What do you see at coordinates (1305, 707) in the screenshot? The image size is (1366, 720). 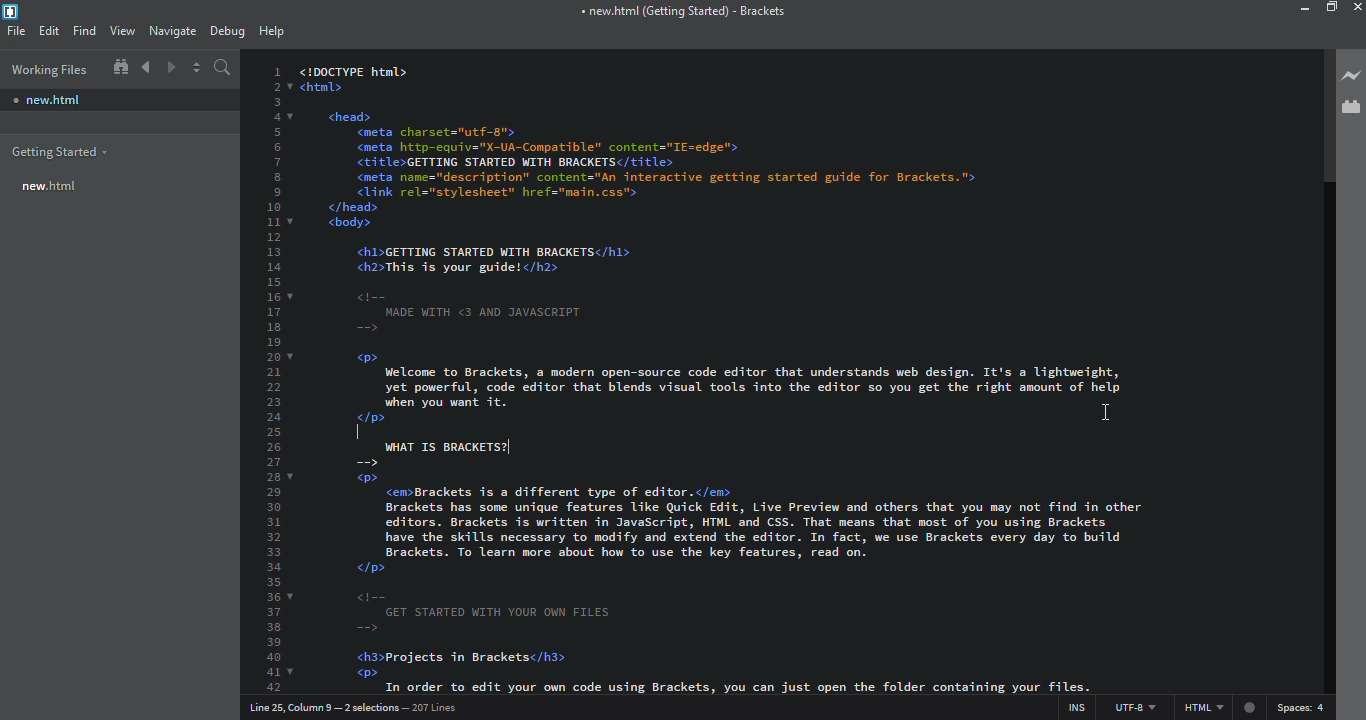 I see `spaces` at bounding box center [1305, 707].